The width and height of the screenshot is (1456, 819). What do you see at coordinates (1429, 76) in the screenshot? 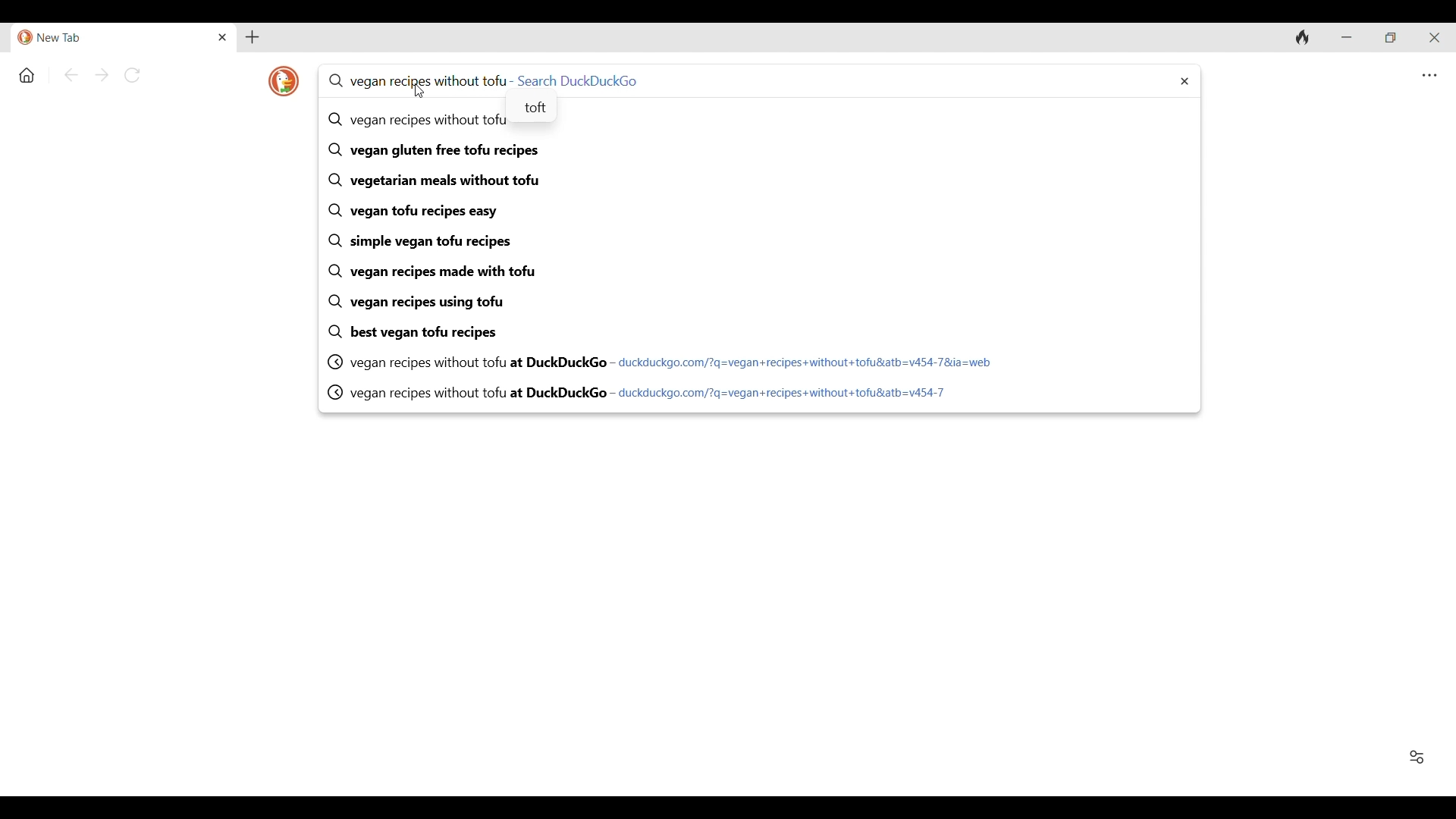
I see `Browser settings` at bounding box center [1429, 76].